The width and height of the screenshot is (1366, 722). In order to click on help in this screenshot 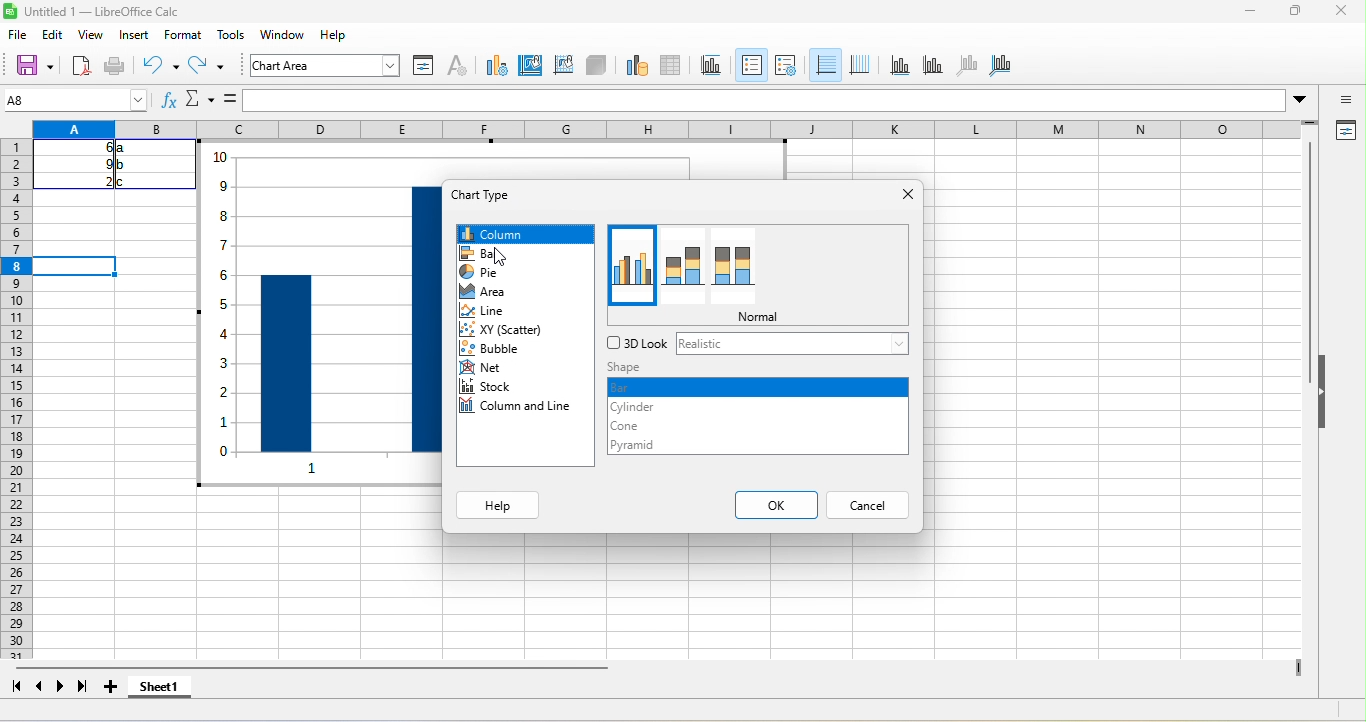, I will do `click(502, 505)`.